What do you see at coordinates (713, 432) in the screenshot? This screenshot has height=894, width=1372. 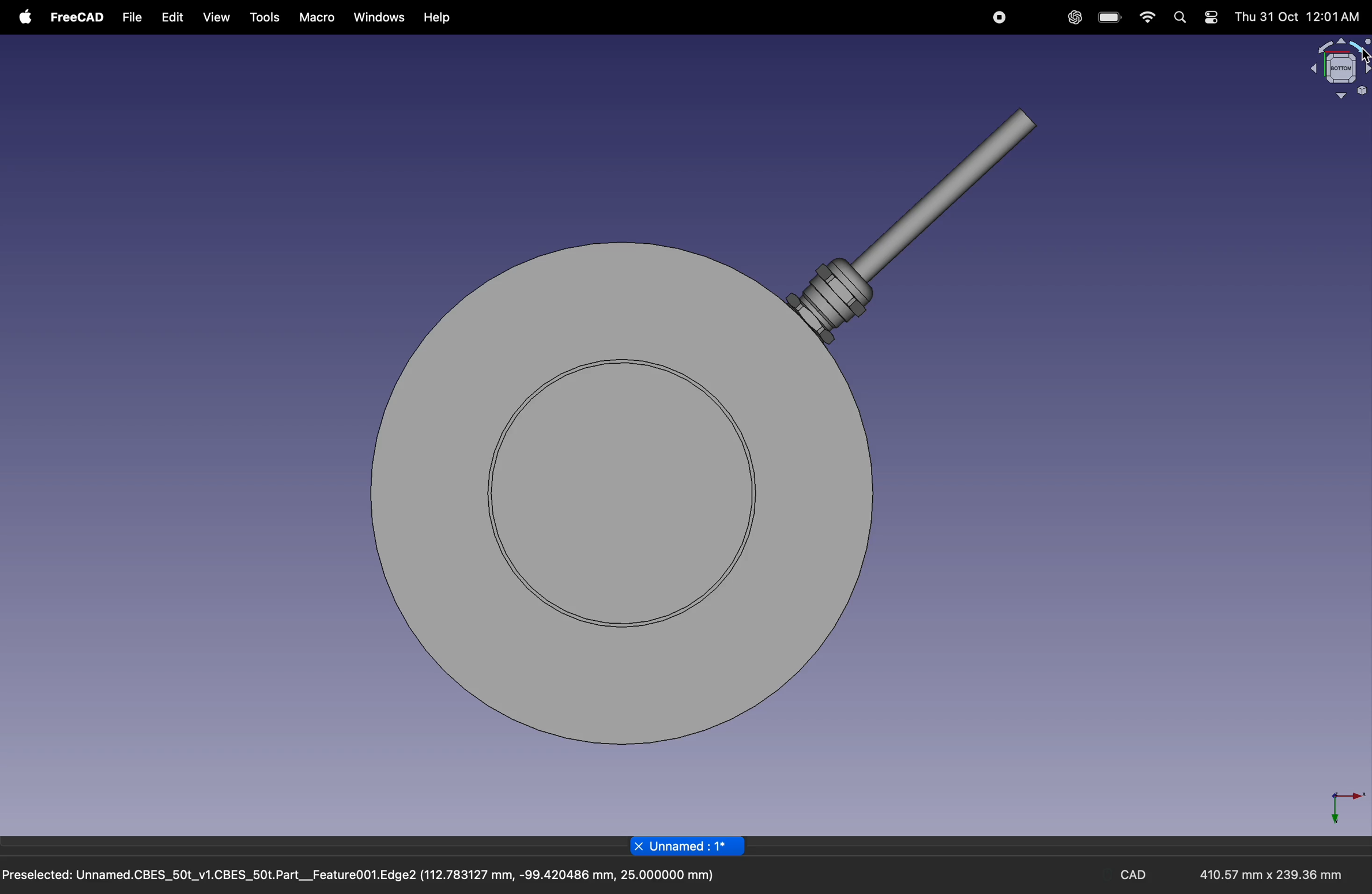 I see `object` at bounding box center [713, 432].